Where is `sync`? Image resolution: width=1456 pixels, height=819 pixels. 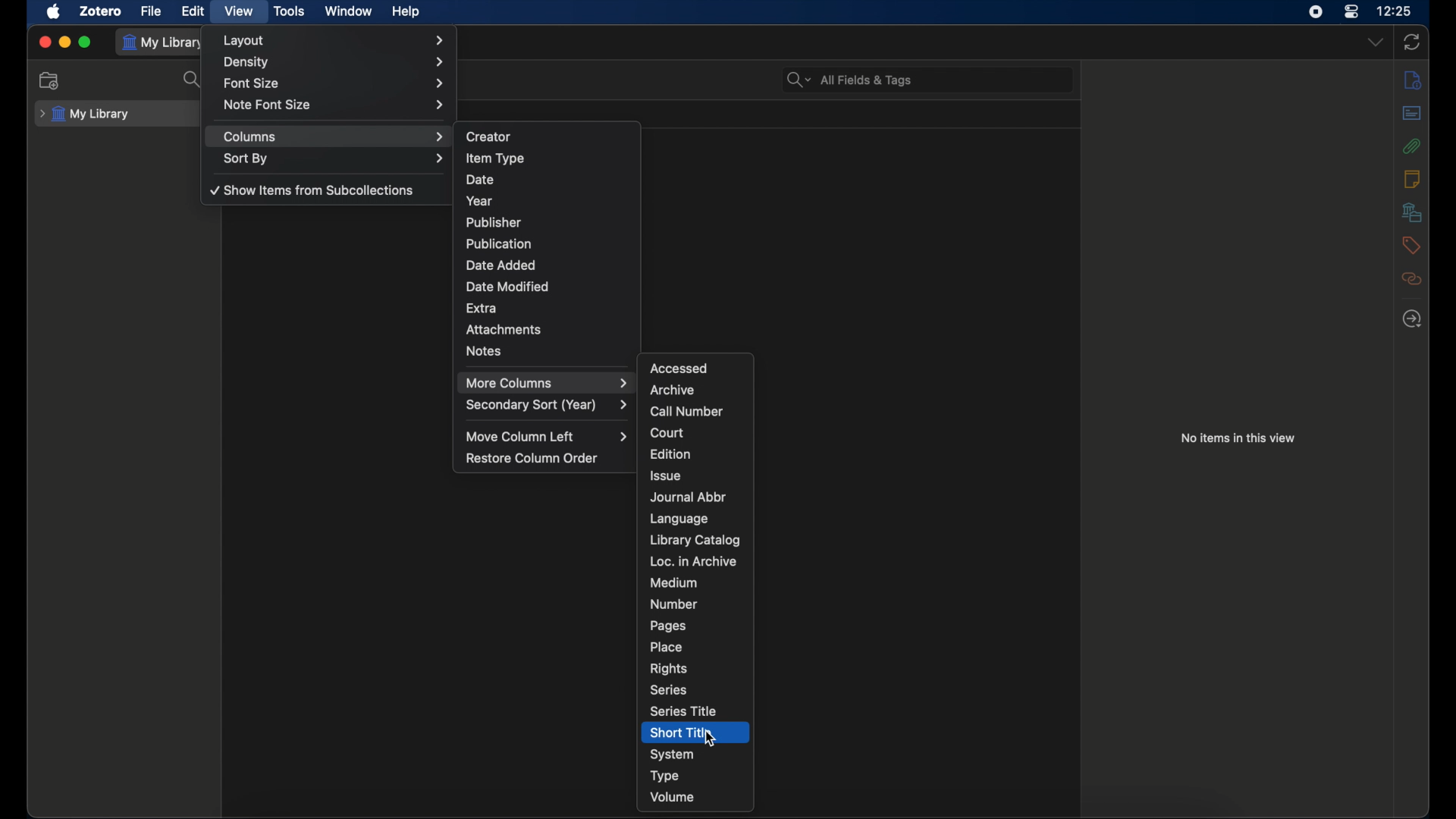
sync is located at coordinates (1412, 42).